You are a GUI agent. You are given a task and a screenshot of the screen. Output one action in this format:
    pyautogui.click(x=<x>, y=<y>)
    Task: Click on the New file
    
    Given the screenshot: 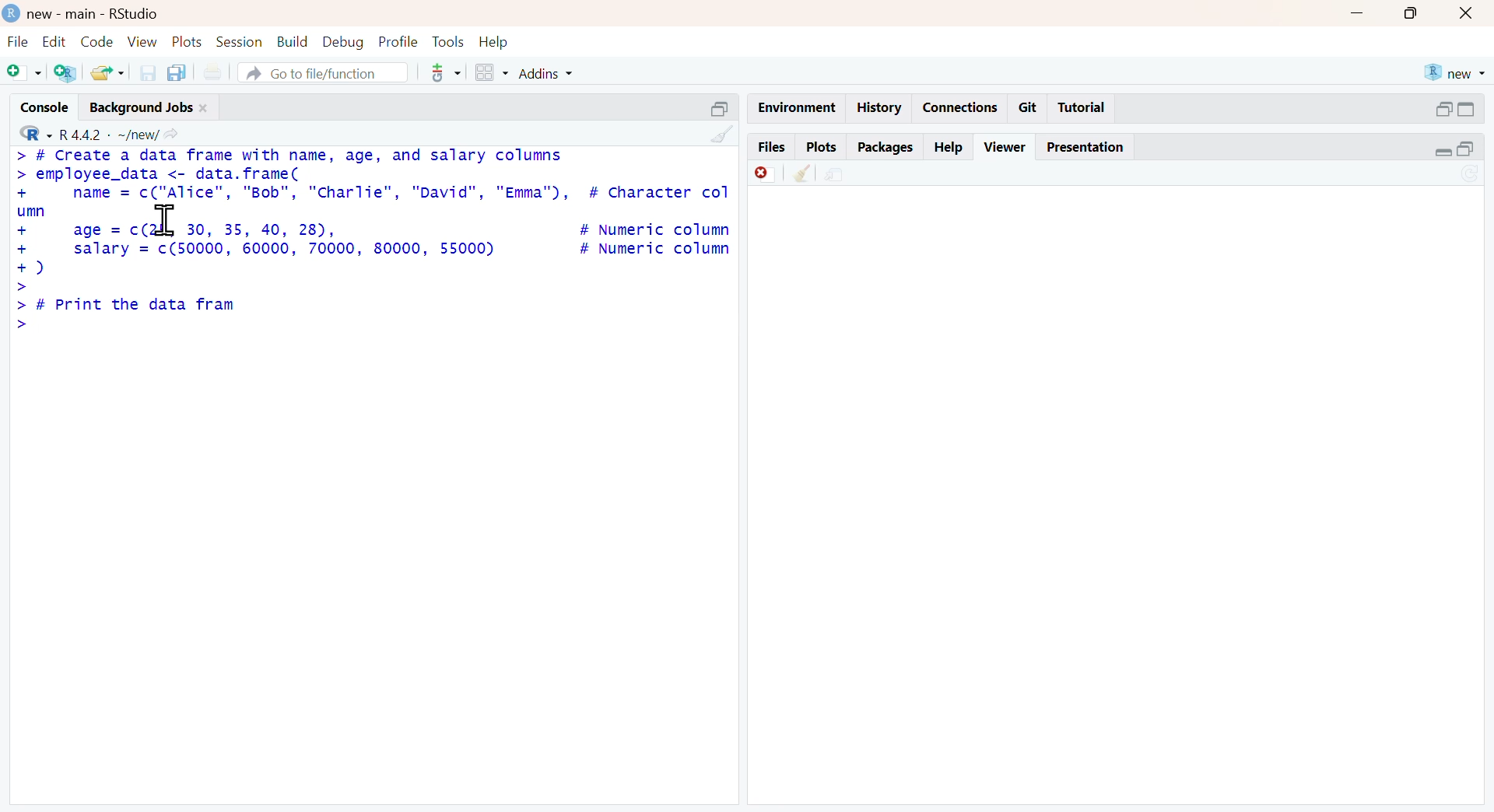 What is the action you would take?
    pyautogui.click(x=23, y=75)
    